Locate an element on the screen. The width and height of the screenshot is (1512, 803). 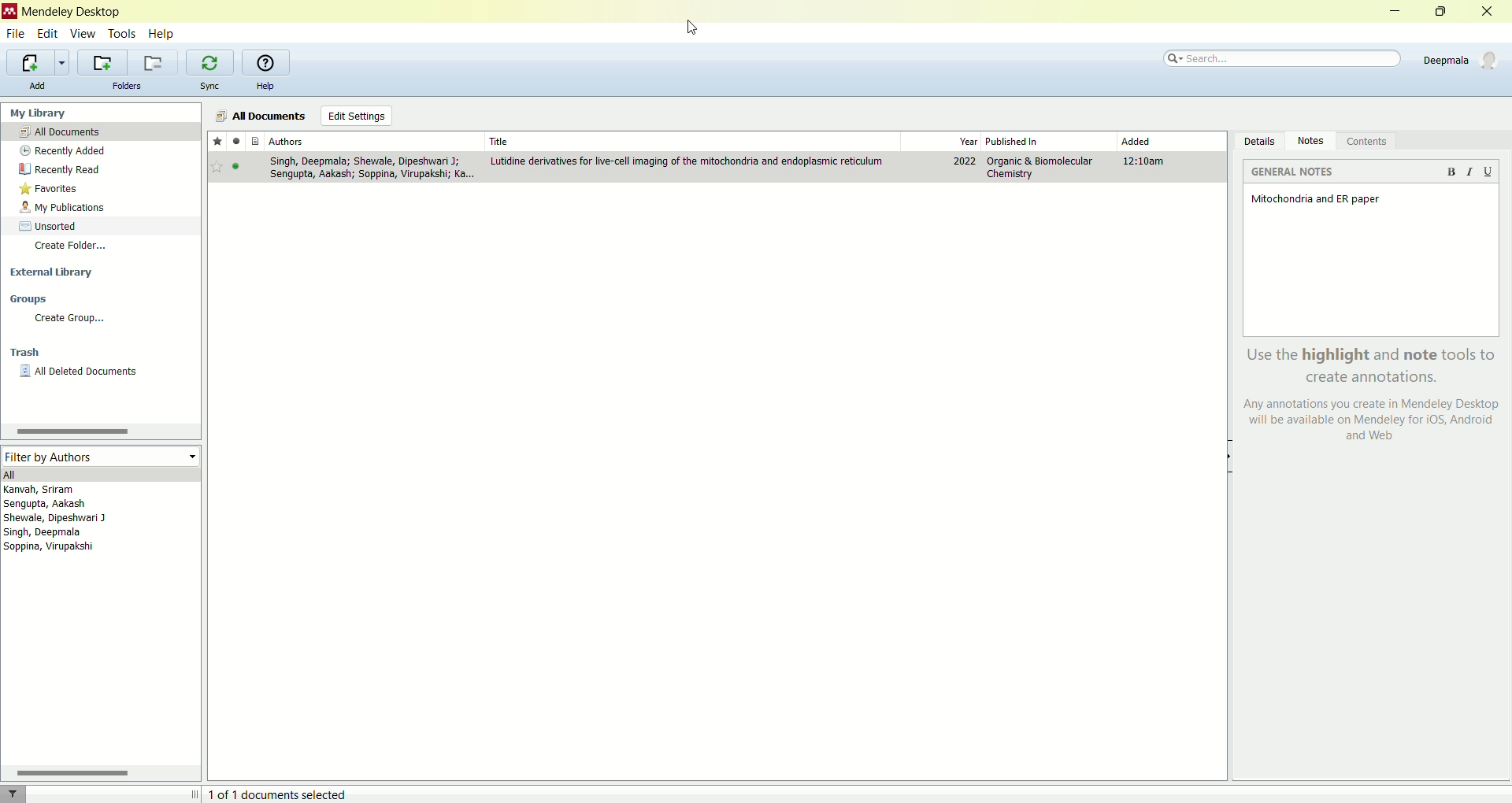
recently added is located at coordinates (99, 151).